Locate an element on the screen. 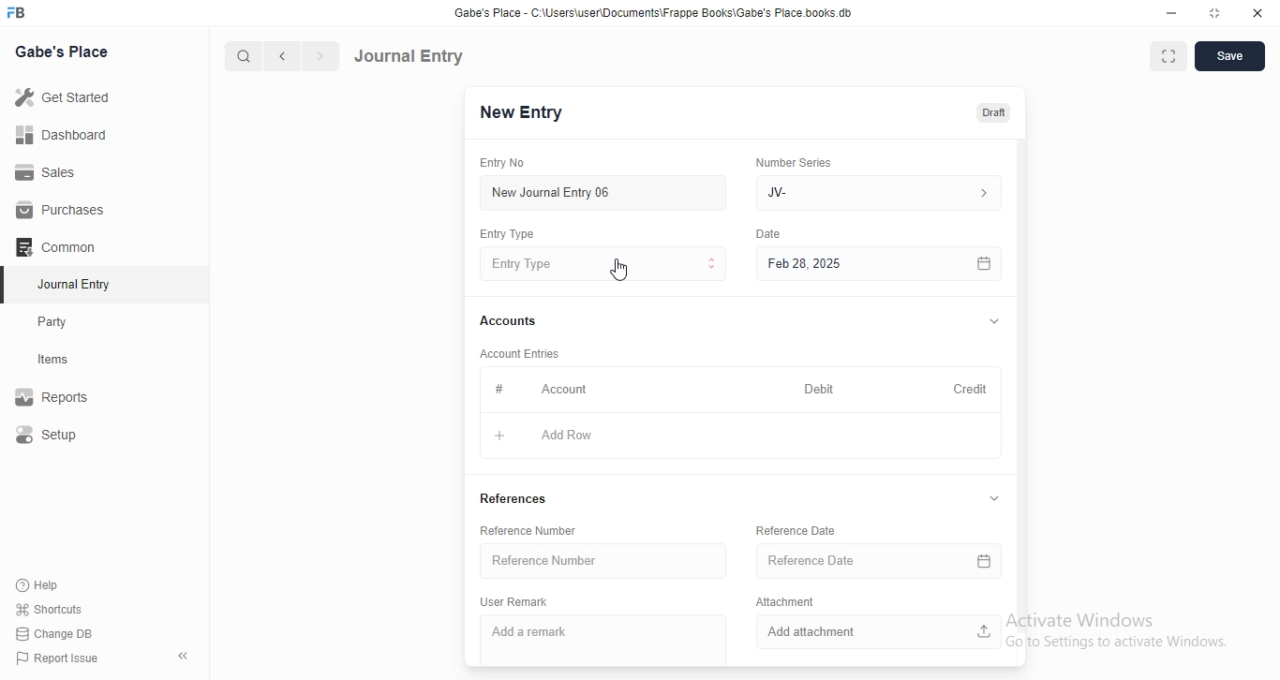 This screenshot has width=1280, height=680. Get Started is located at coordinates (67, 97).